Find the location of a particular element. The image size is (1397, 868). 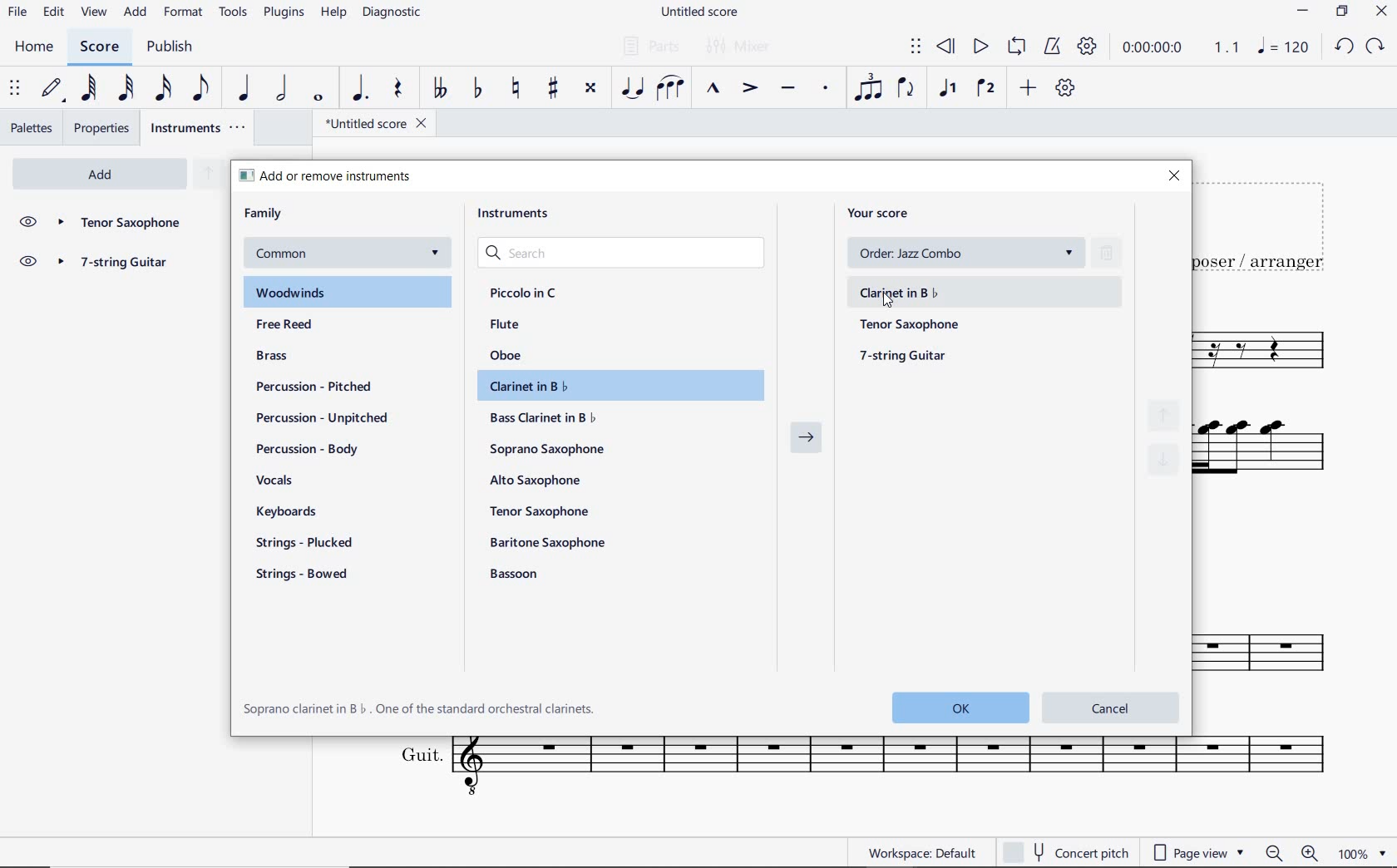

SELECET TO MOVE is located at coordinates (15, 89).